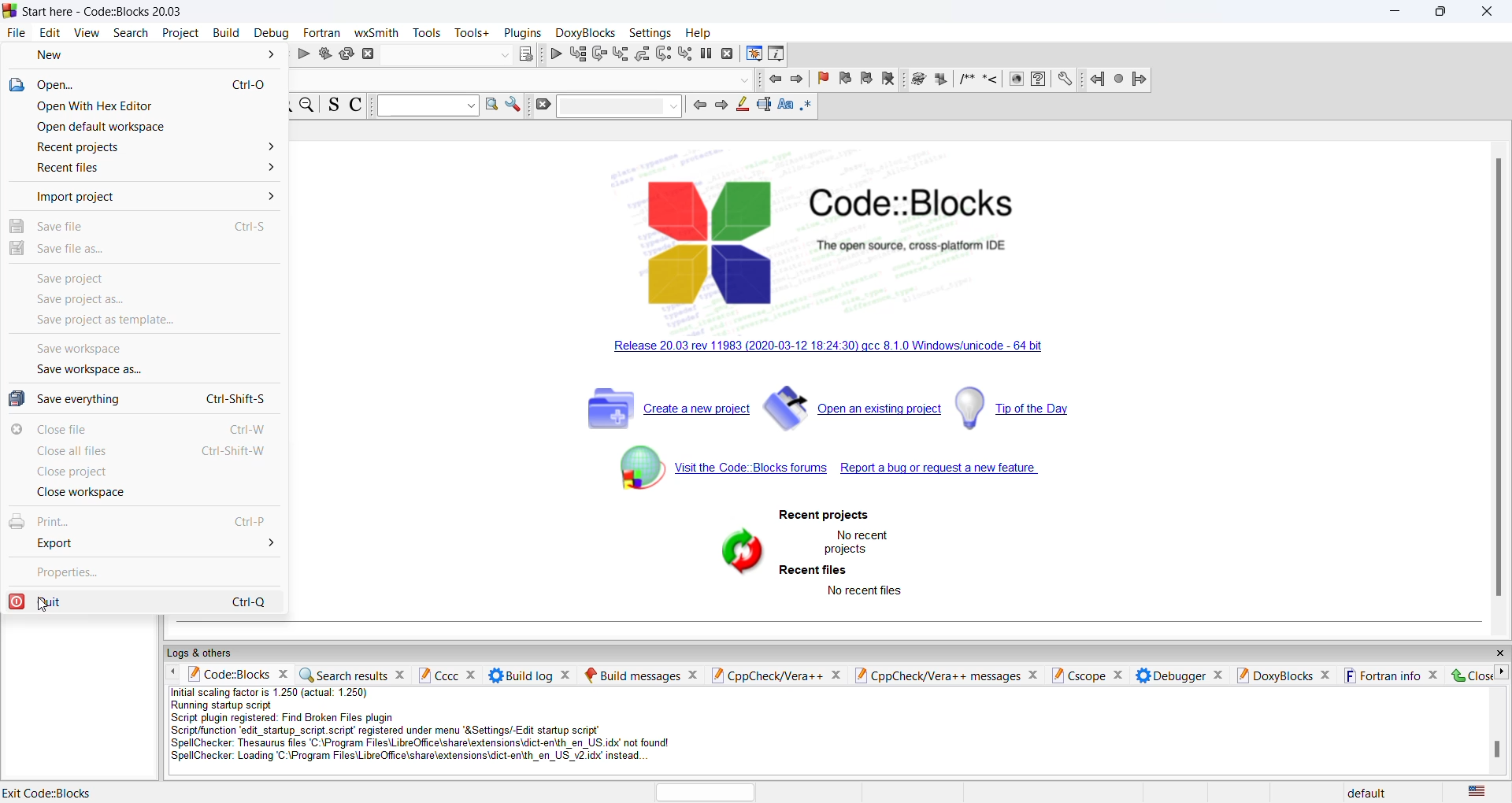 This screenshot has height=803, width=1512. I want to click on close, so click(1120, 675).